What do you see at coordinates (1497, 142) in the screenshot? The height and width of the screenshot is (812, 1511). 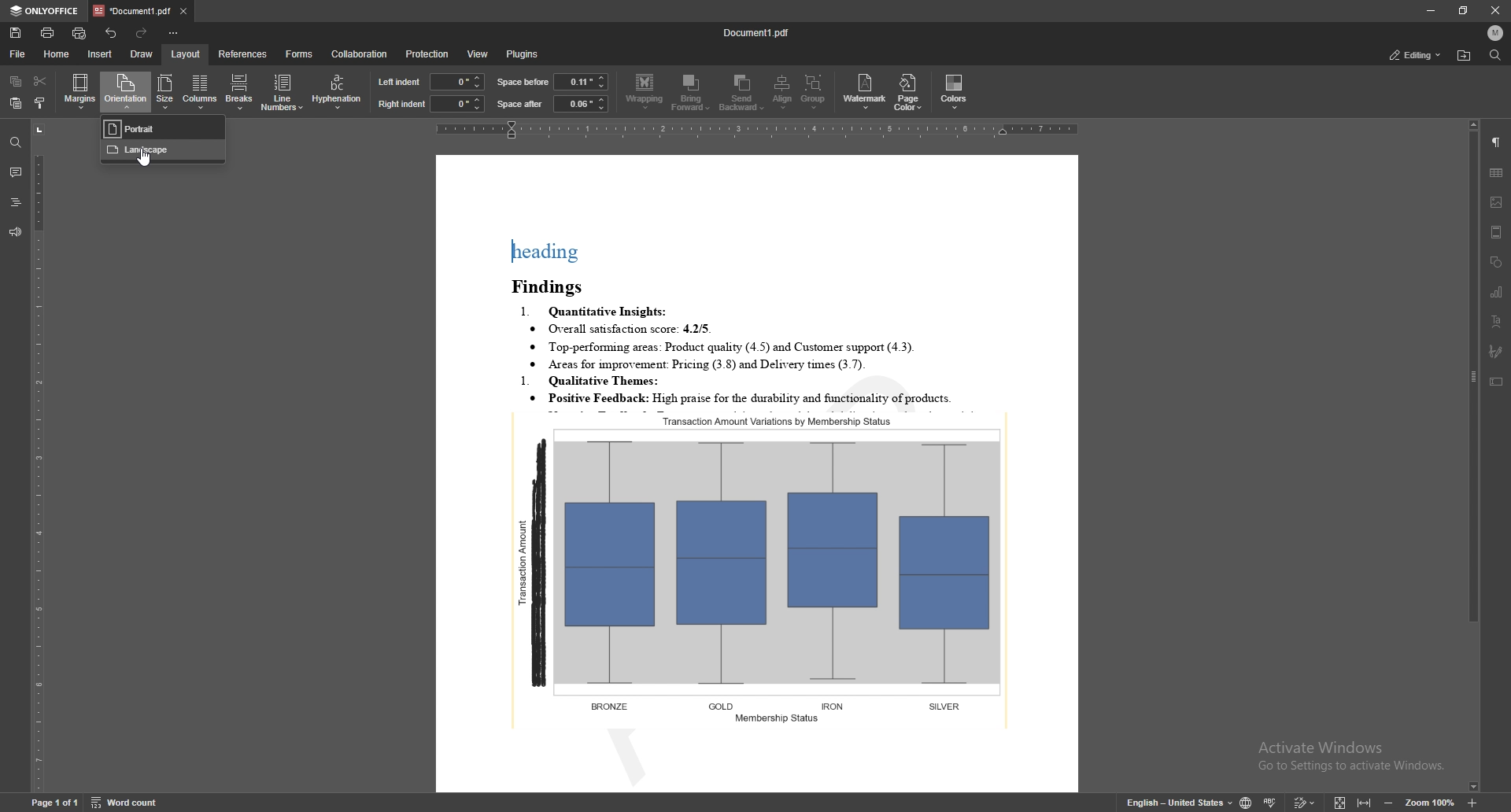 I see `paragraph` at bounding box center [1497, 142].